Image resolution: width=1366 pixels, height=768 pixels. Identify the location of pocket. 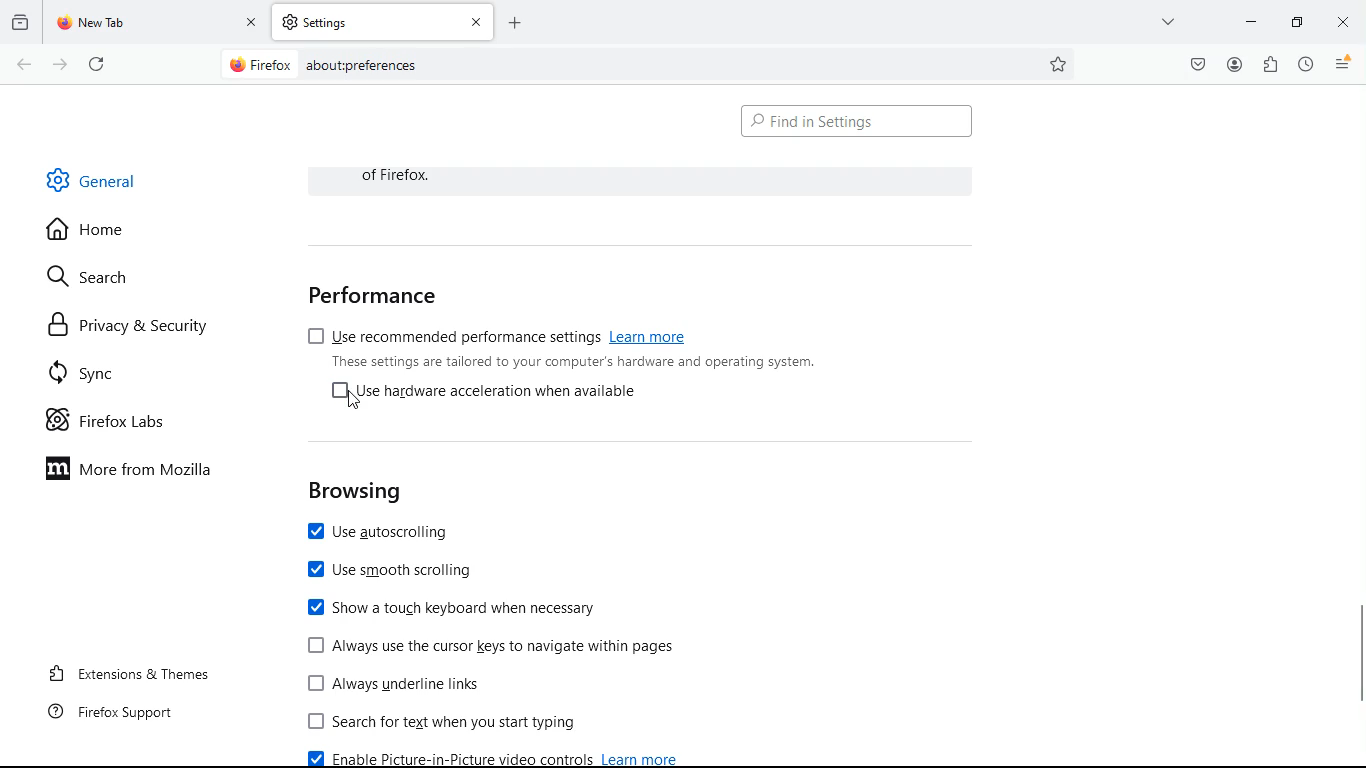
(1194, 65).